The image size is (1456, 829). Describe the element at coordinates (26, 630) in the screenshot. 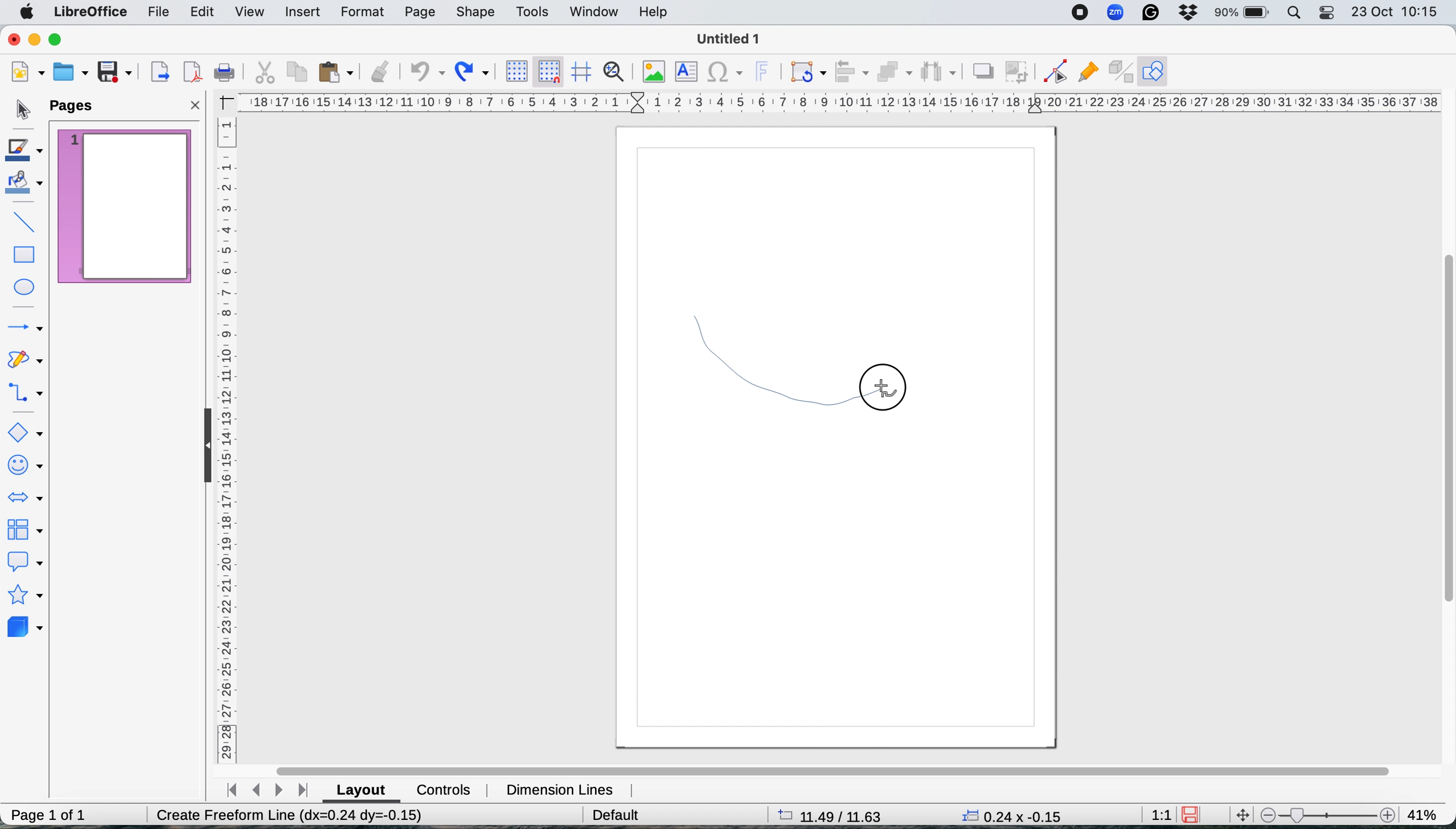

I see `3d objects` at that location.